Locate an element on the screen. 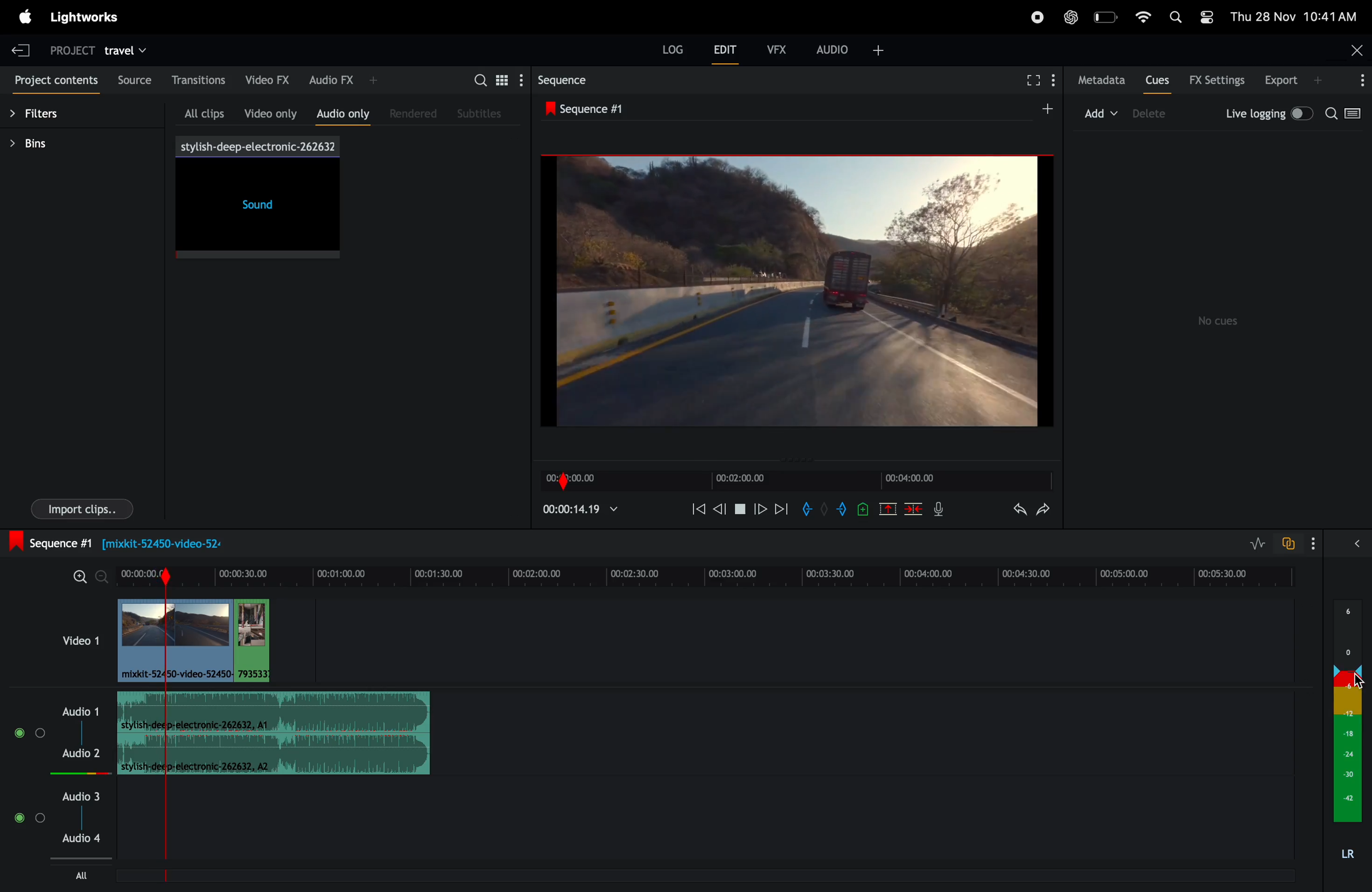 This screenshot has height=892, width=1372. Mute/Unmute track is located at coordinates (19, 823).